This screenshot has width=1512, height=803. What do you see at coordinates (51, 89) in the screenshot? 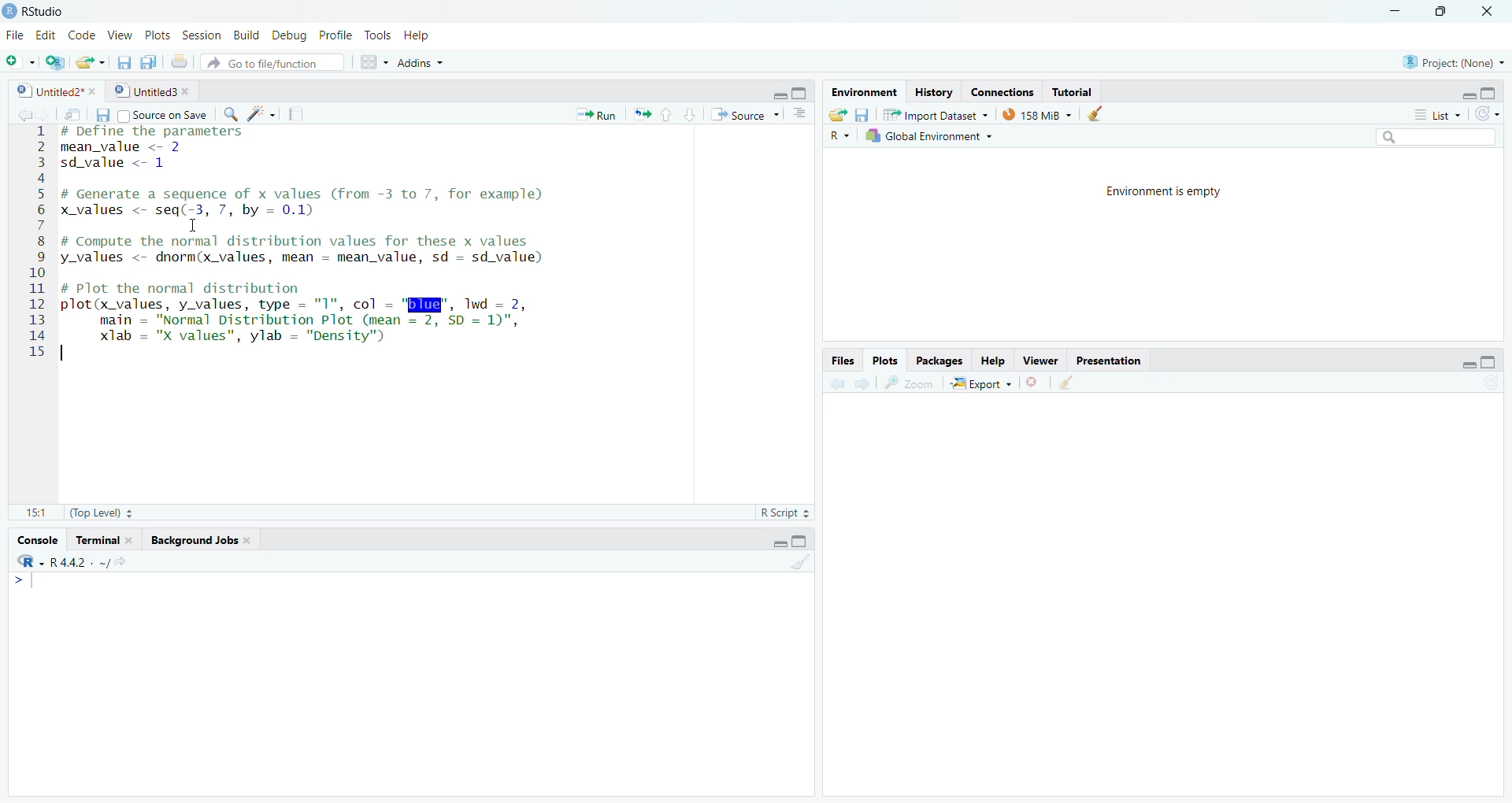
I see ` Untitled2` at bounding box center [51, 89].